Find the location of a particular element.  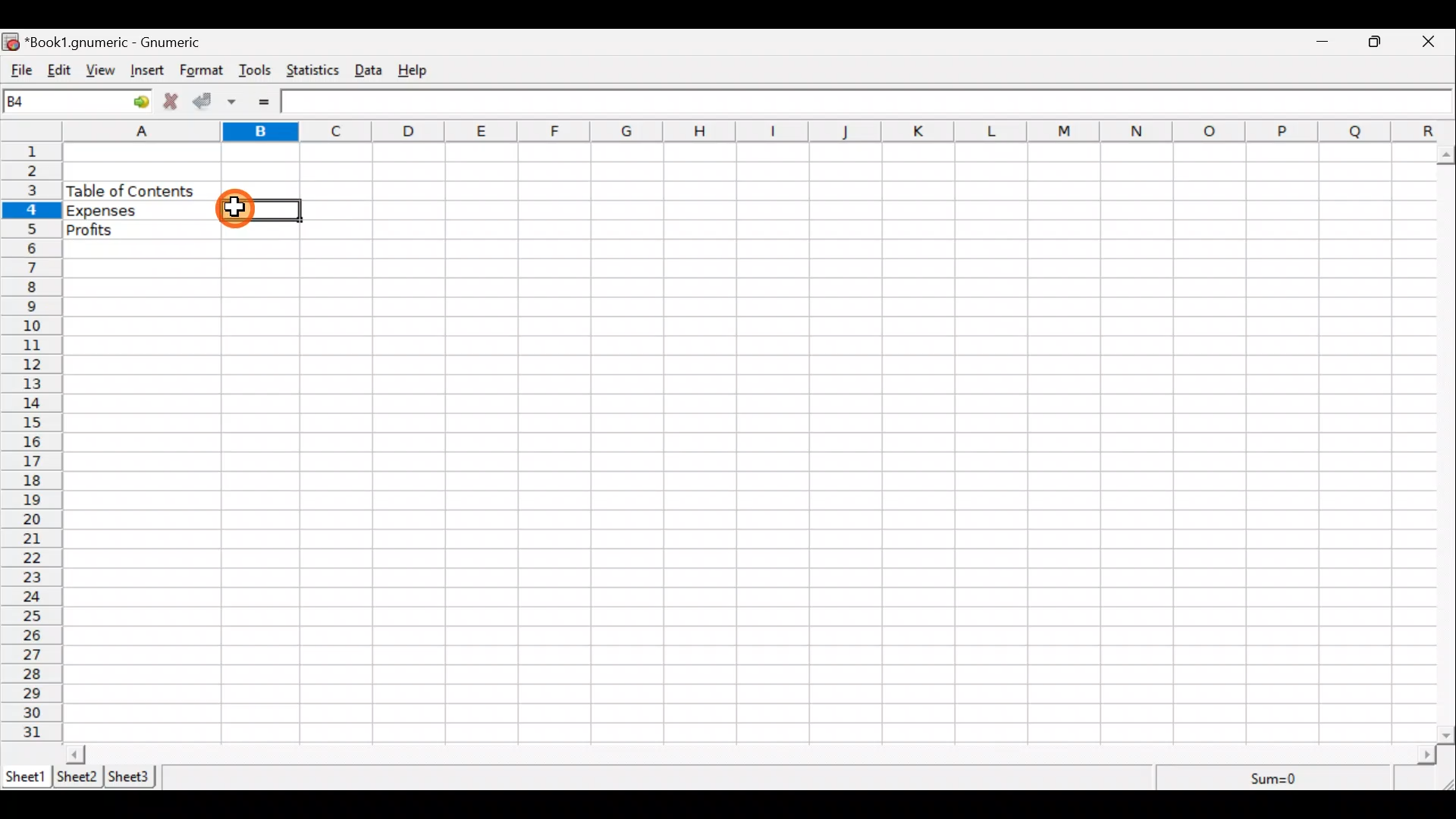

icon is located at coordinates (12, 42).